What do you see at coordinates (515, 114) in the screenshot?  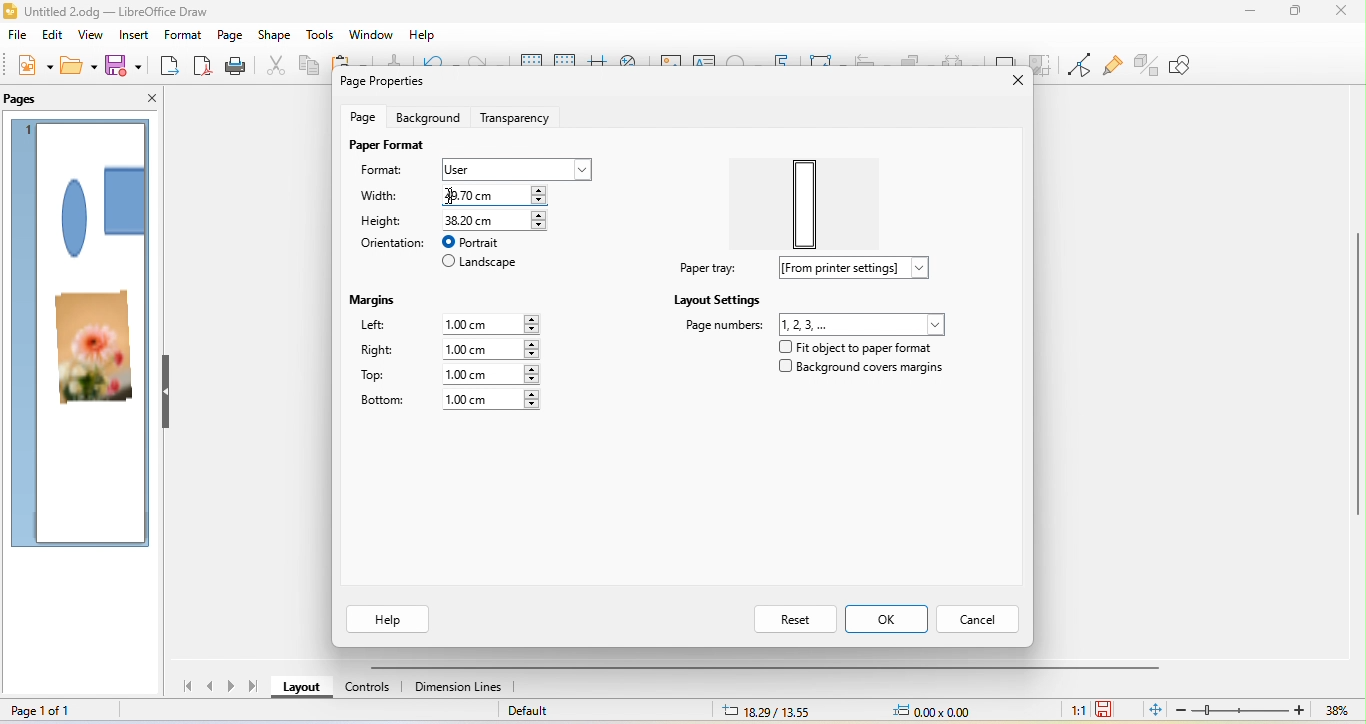 I see `transparency` at bounding box center [515, 114].